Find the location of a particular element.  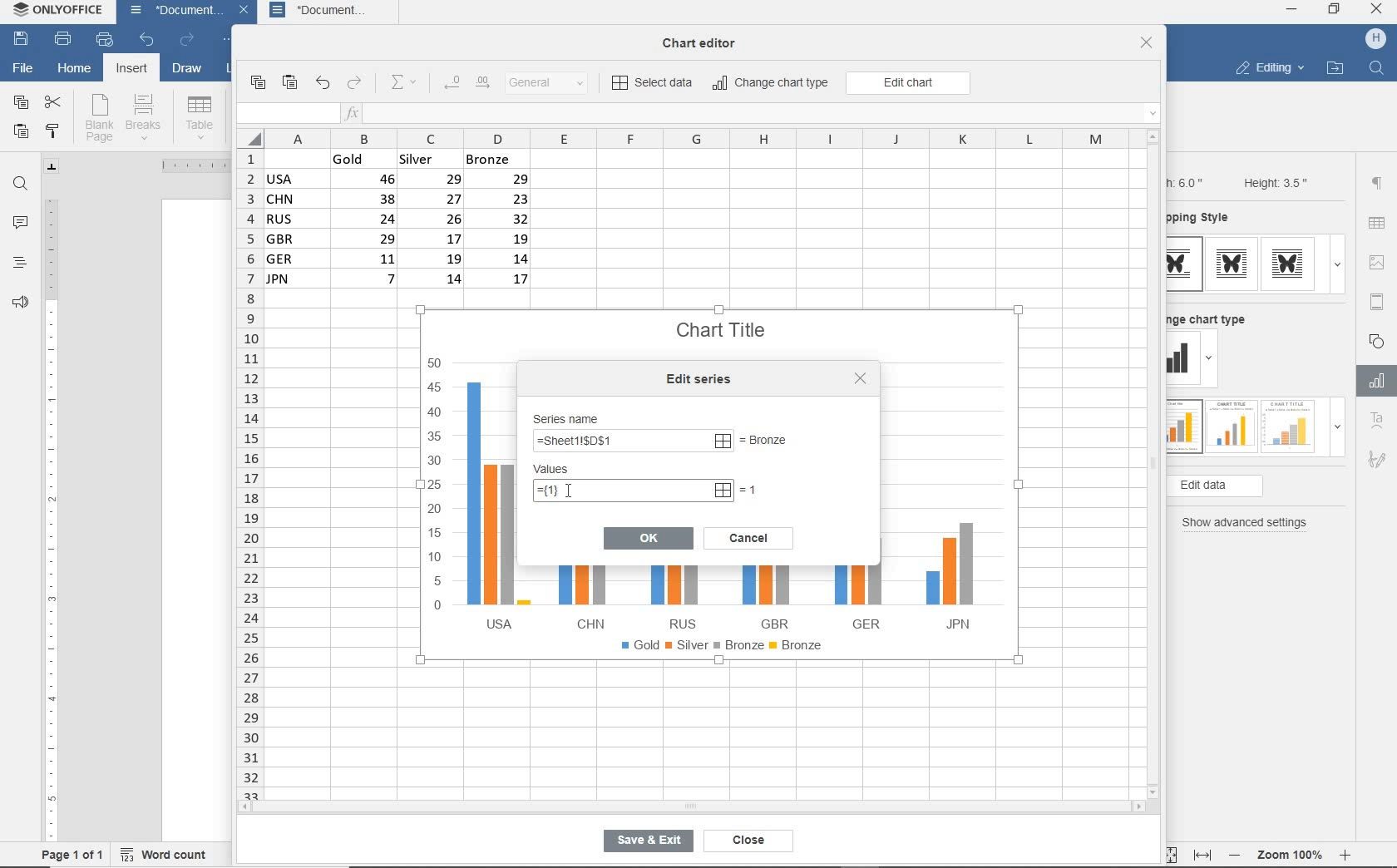

dropdown is located at coordinates (1337, 432).